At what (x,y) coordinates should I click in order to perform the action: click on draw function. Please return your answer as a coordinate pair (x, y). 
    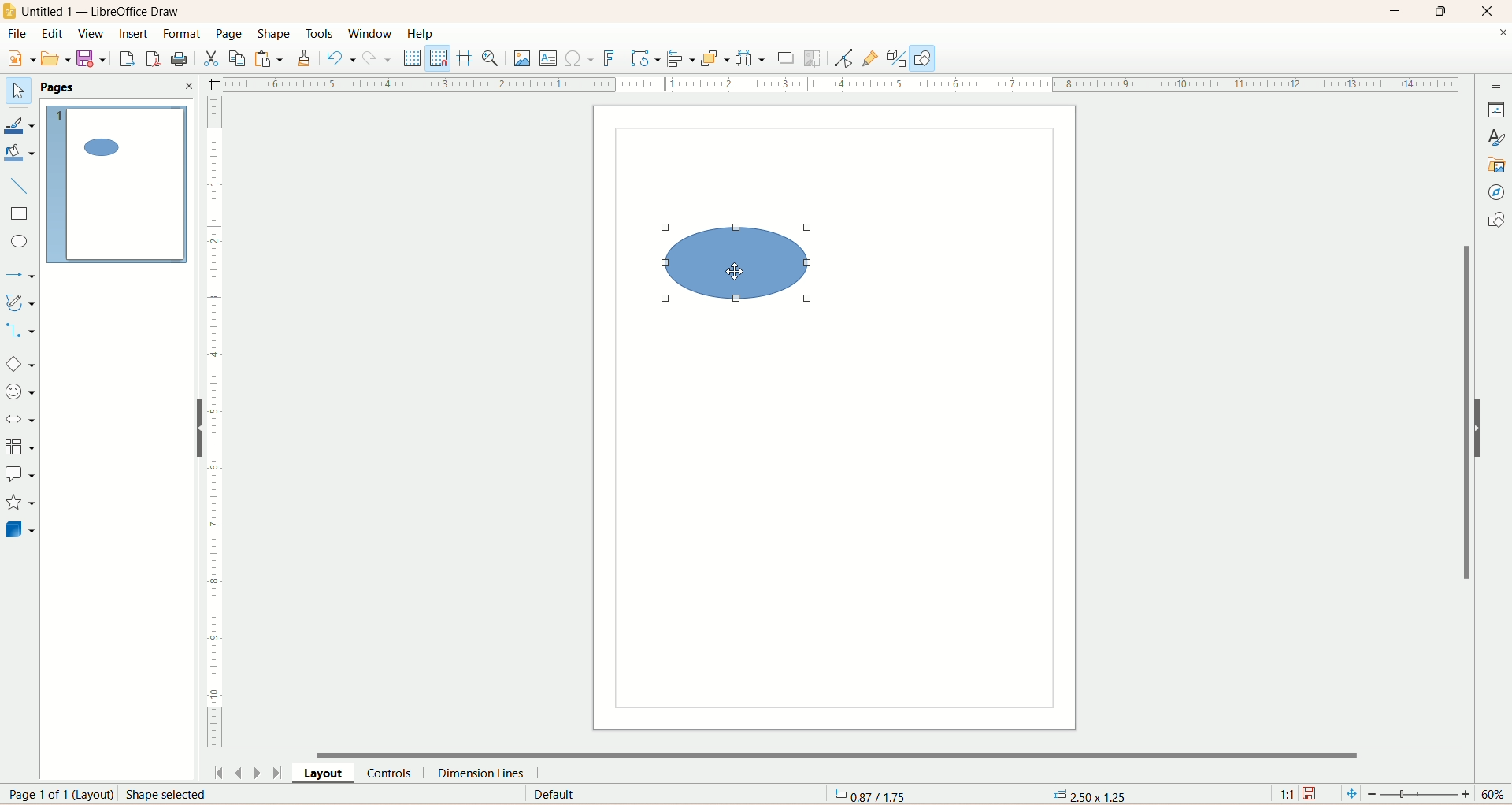
    Looking at the image, I should click on (925, 59).